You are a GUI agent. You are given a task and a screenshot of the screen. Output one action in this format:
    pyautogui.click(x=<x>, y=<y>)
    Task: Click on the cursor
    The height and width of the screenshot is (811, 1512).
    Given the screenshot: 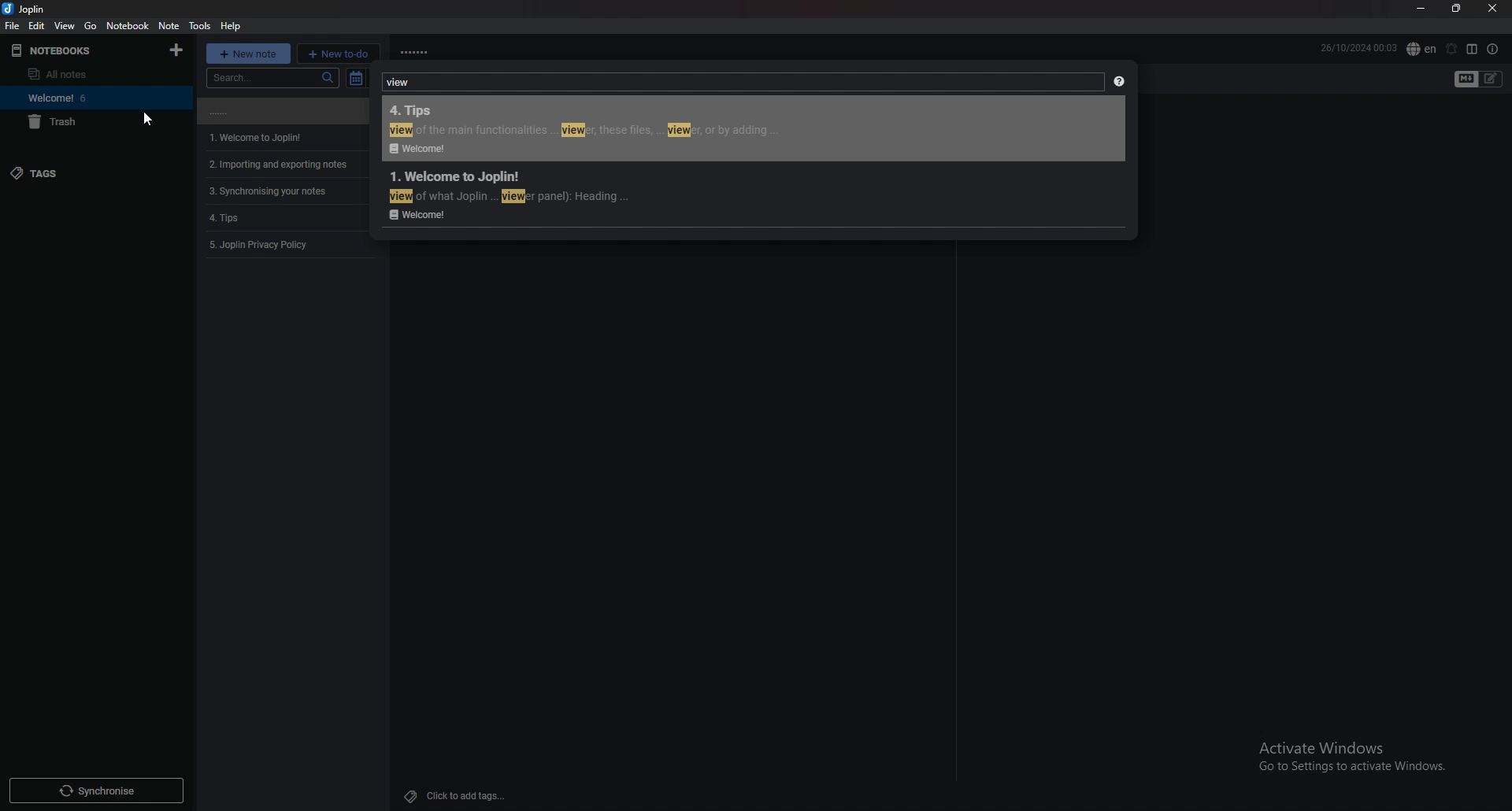 What is the action you would take?
    pyautogui.click(x=146, y=118)
    